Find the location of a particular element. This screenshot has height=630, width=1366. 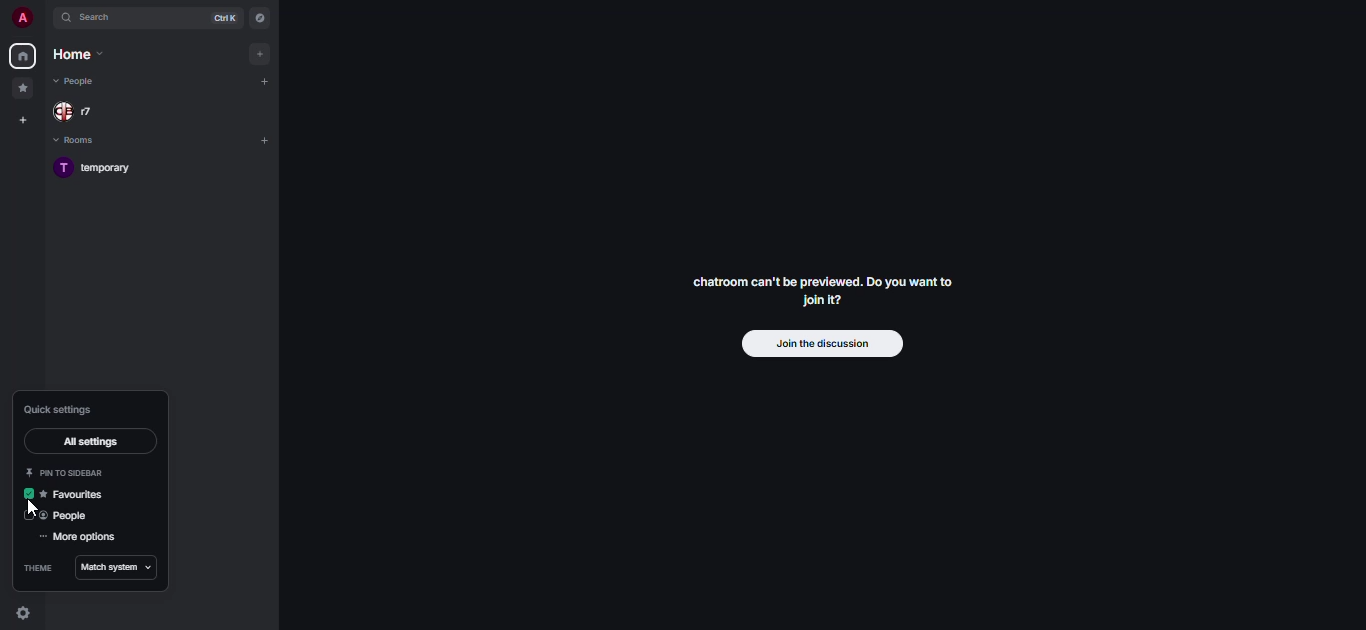

quick settings is located at coordinates (28, 613).